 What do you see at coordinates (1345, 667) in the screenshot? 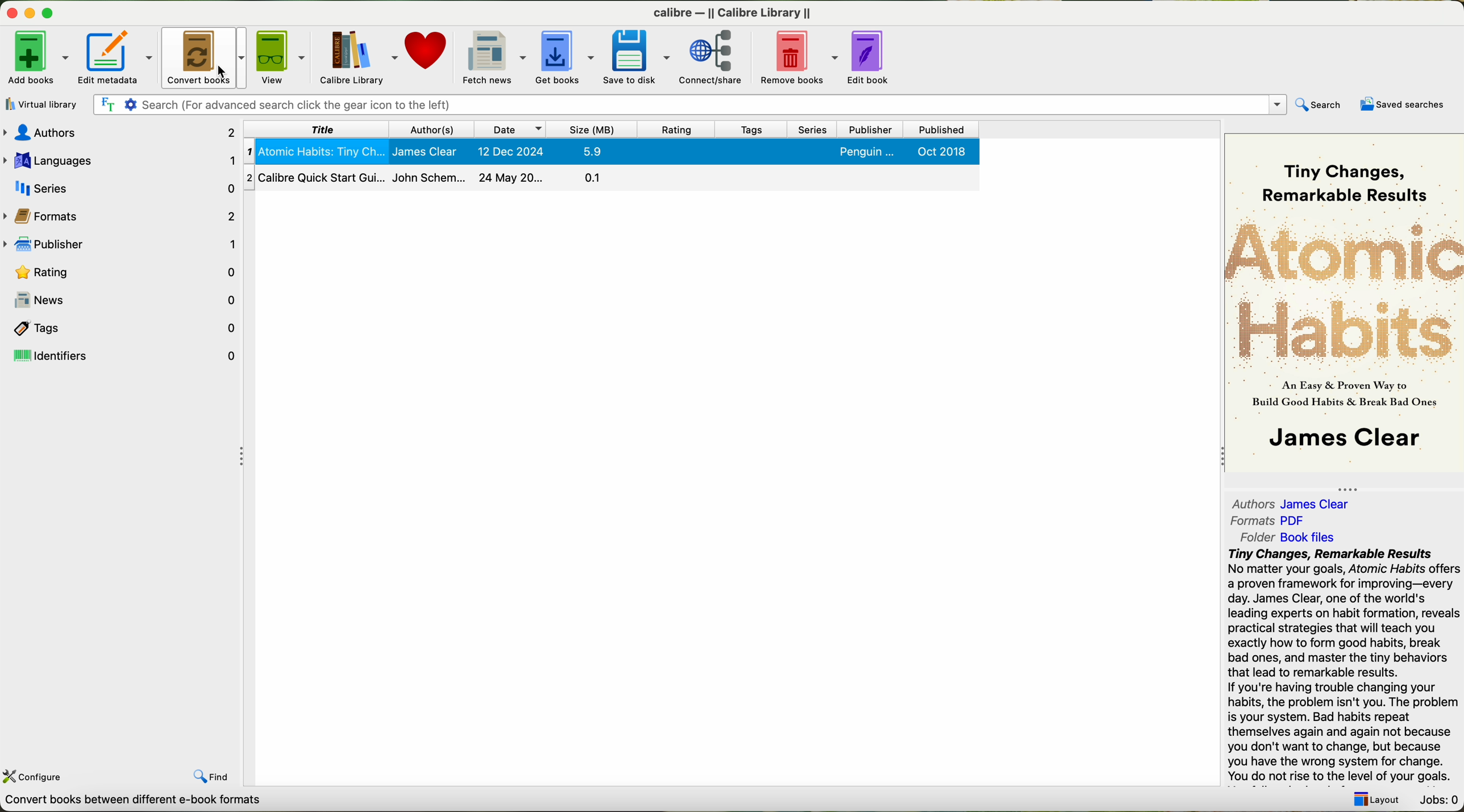
I see `summary` at bounding box center [1345, 667].